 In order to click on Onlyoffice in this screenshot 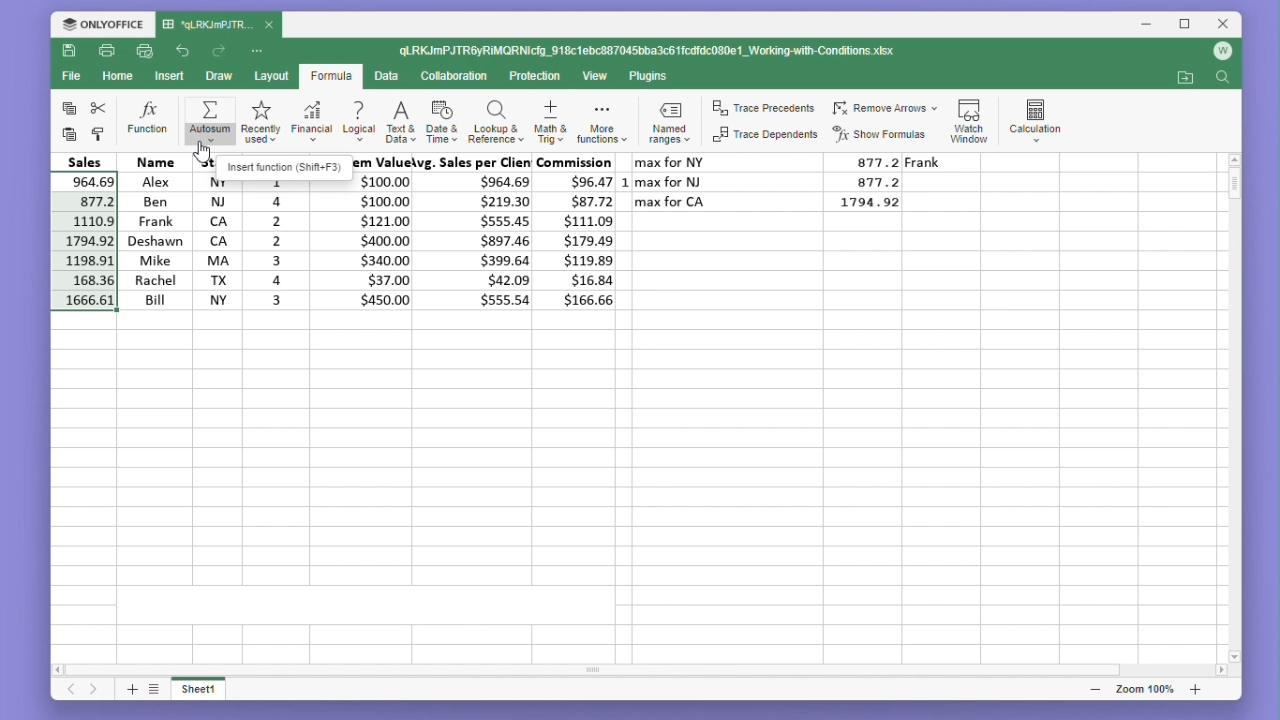, I will do `click(102, 24)`.